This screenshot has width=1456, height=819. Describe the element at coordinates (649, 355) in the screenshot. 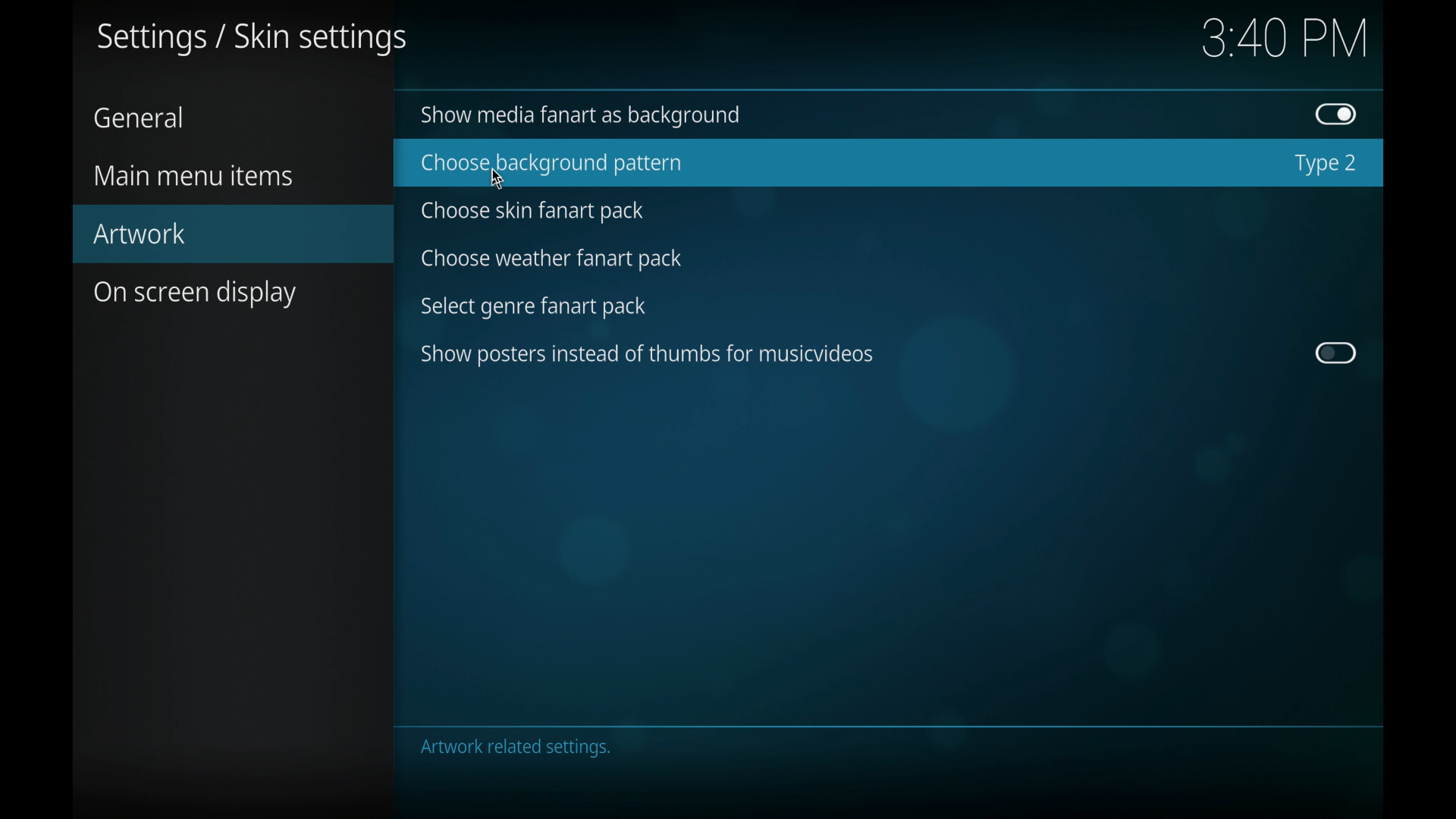

I see `show posters instead of thumbs for music videos` at that location.